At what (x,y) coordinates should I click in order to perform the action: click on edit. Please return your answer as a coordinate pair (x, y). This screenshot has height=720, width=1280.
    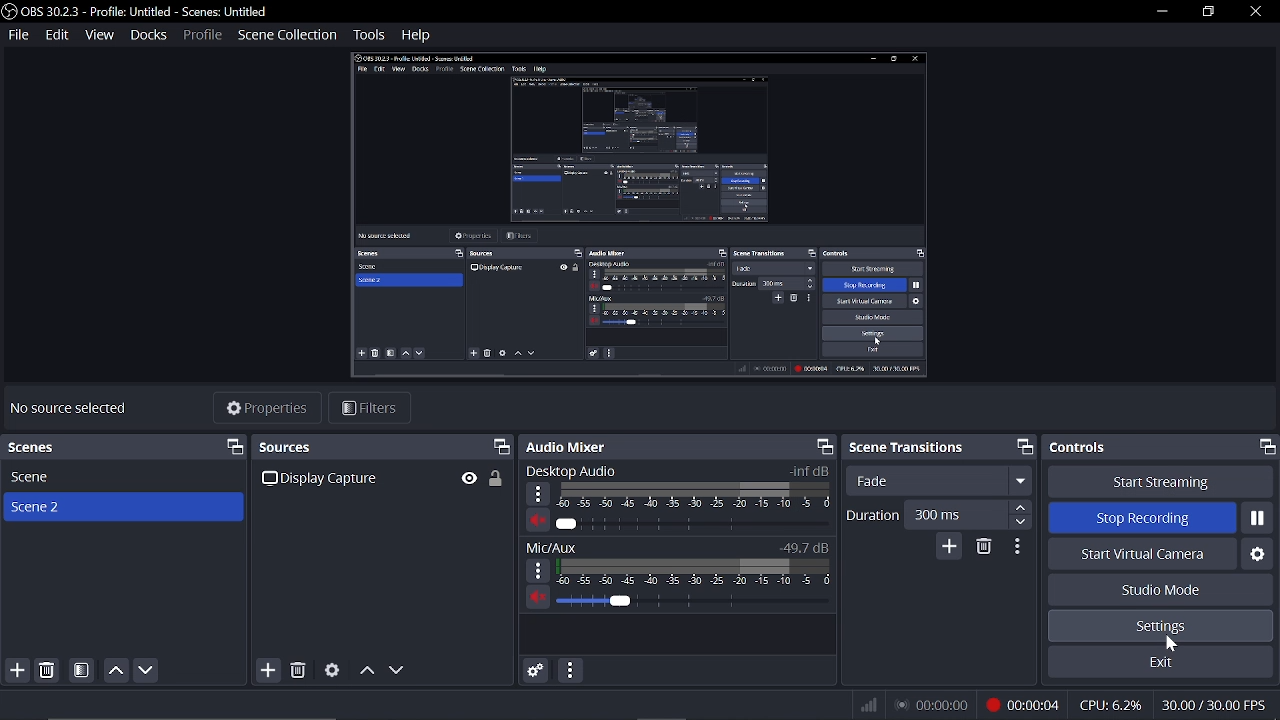
    Looking at the image, I should click on (58, 37).